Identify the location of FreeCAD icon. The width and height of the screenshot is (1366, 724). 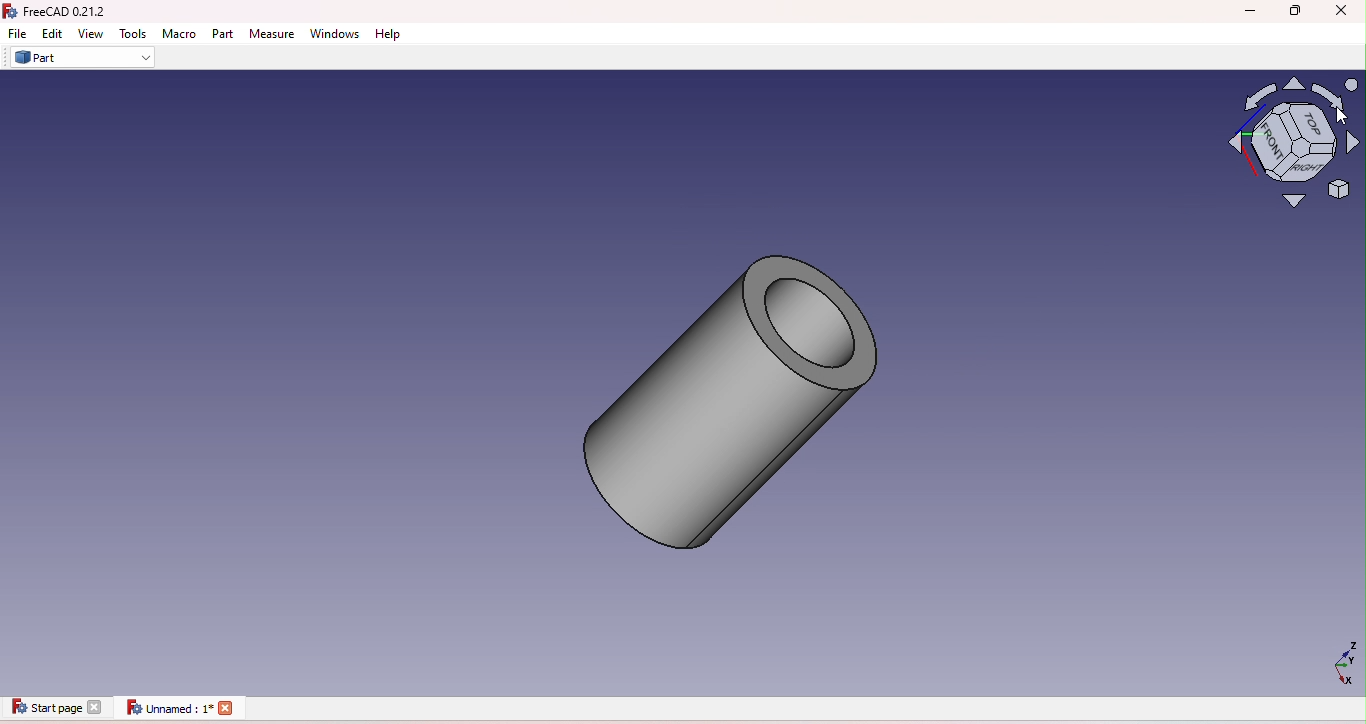
(64, 12).